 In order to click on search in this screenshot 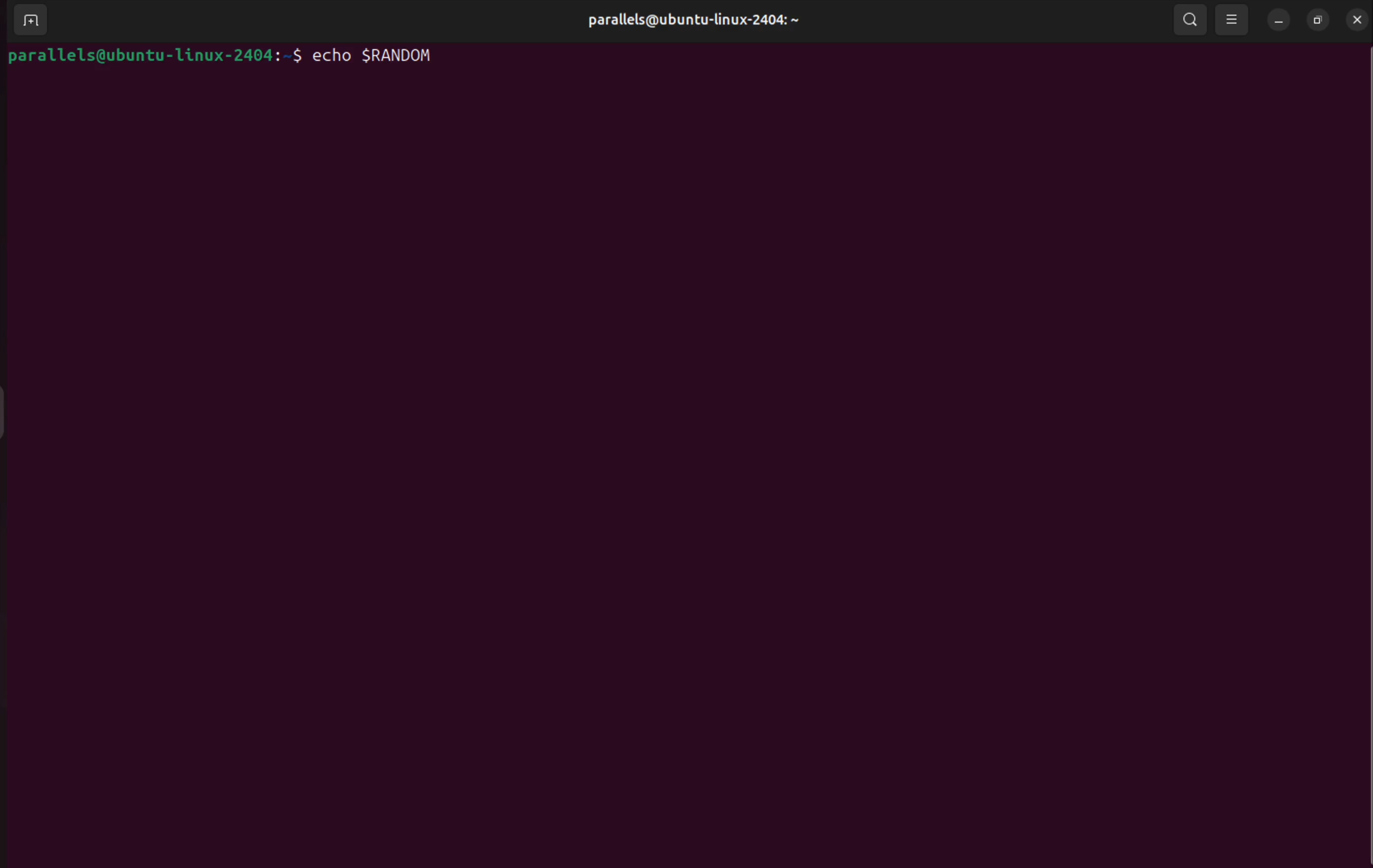, I will do `click(1189, 22)`.